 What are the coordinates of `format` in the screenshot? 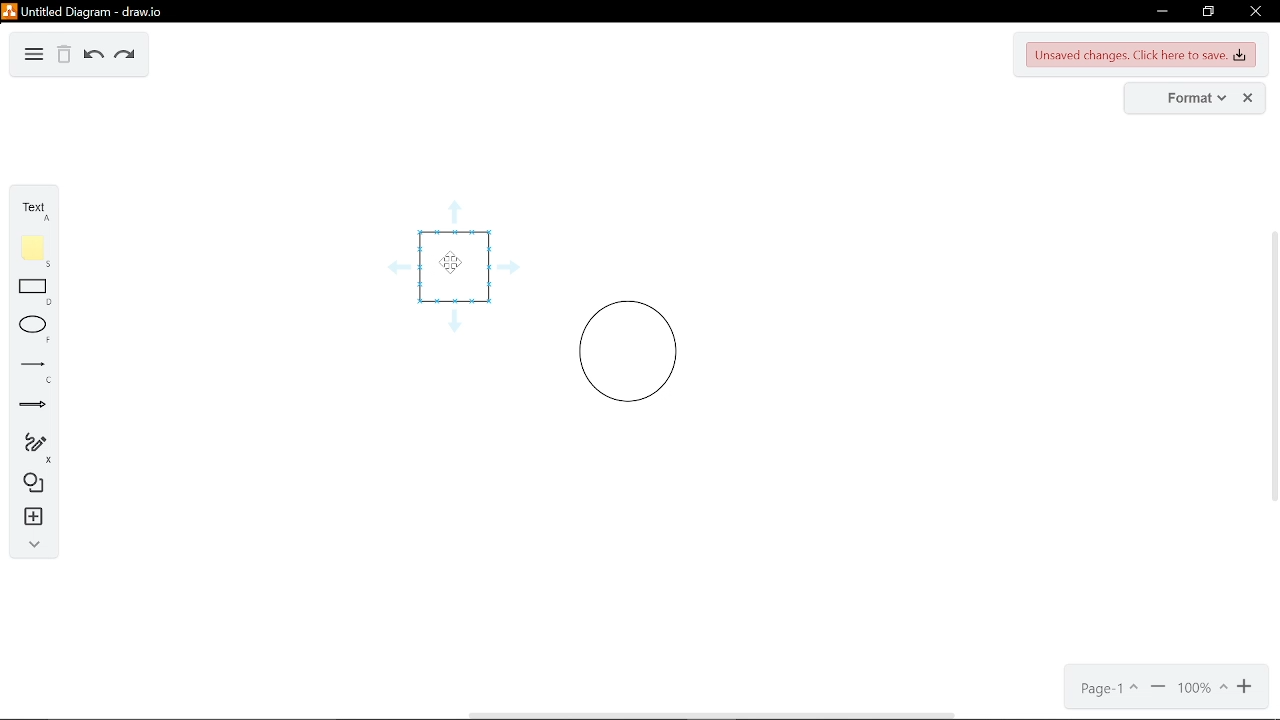 It's located at (1183, 98).